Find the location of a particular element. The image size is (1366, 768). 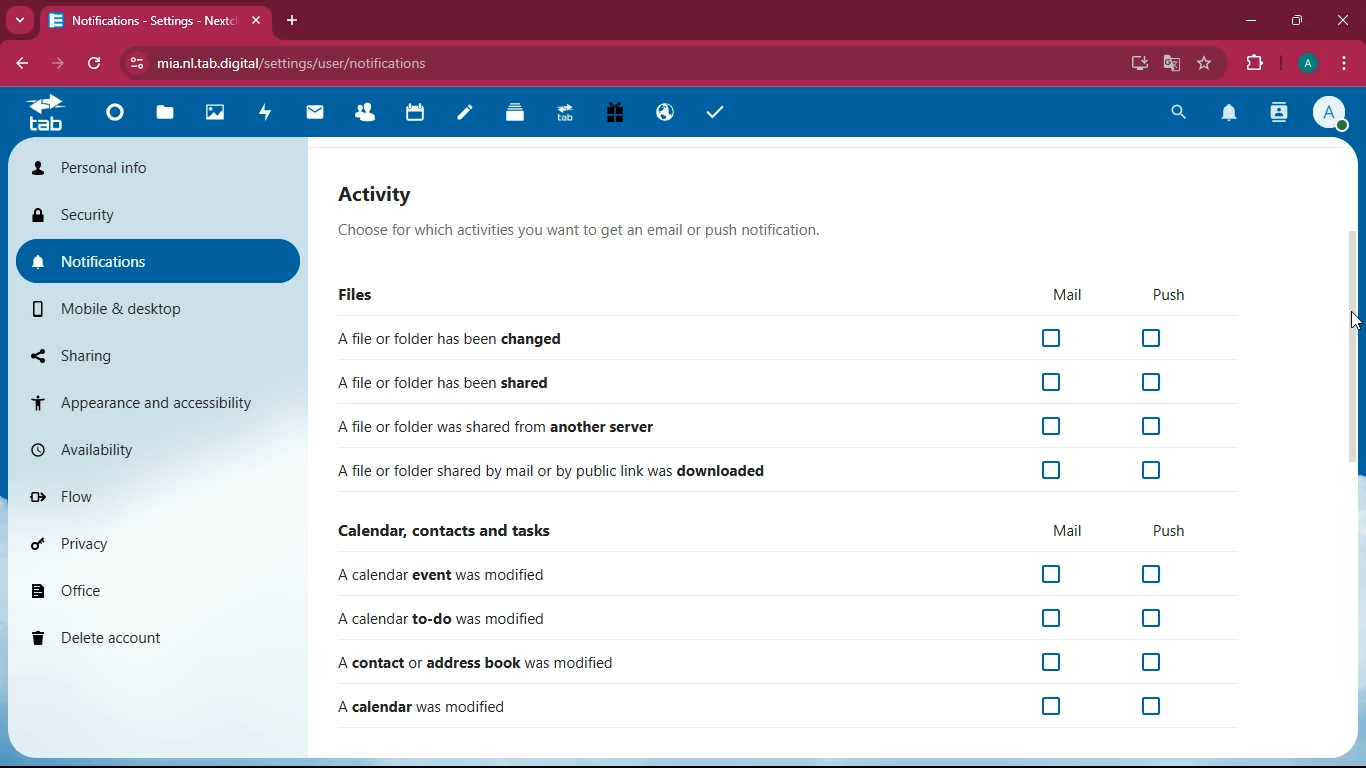

close is located at coordinates (1342, 22).